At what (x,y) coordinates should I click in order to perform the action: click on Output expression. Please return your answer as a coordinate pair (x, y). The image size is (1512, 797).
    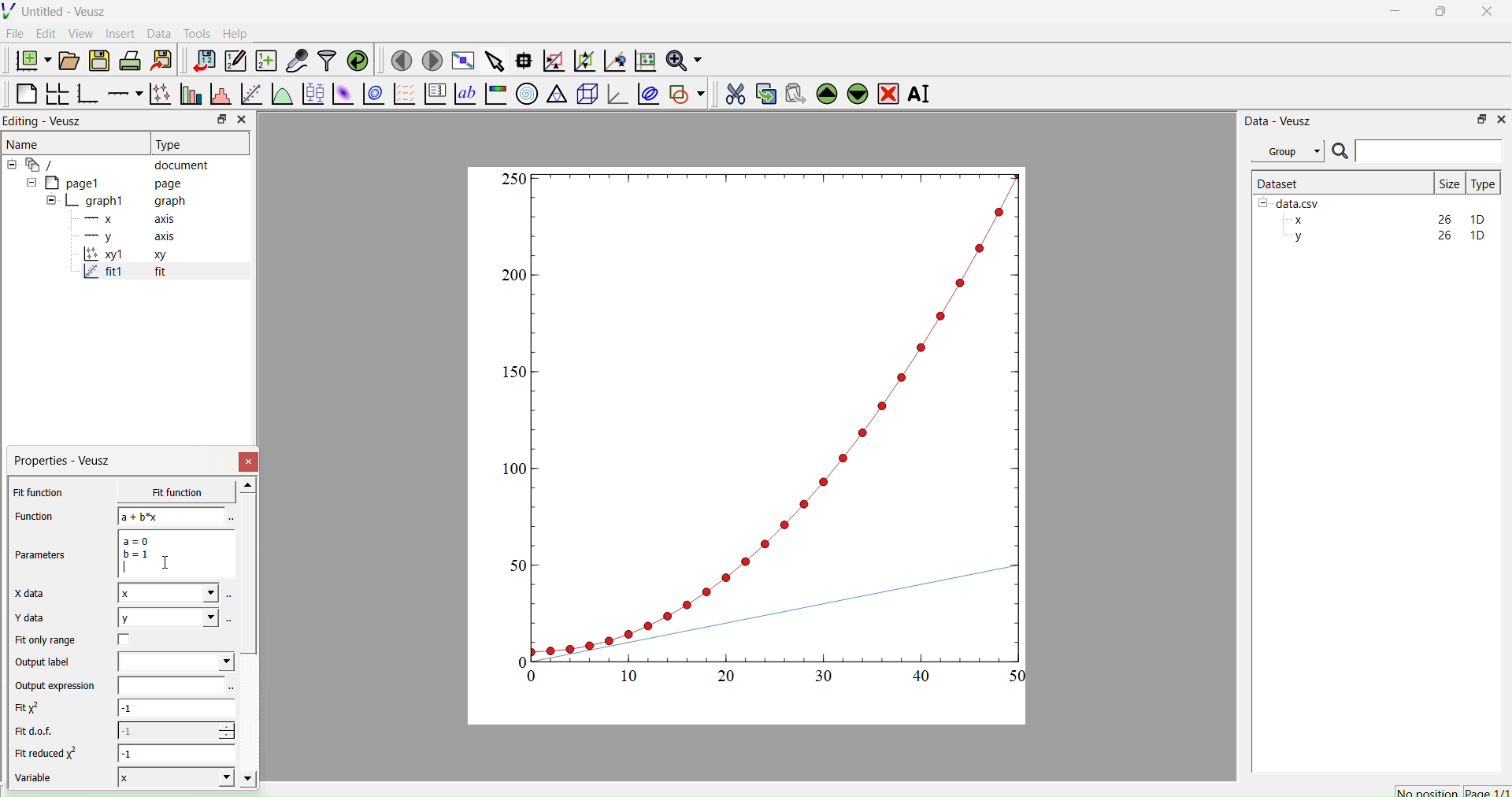
    Looking at the image, I should click on (60, 686).